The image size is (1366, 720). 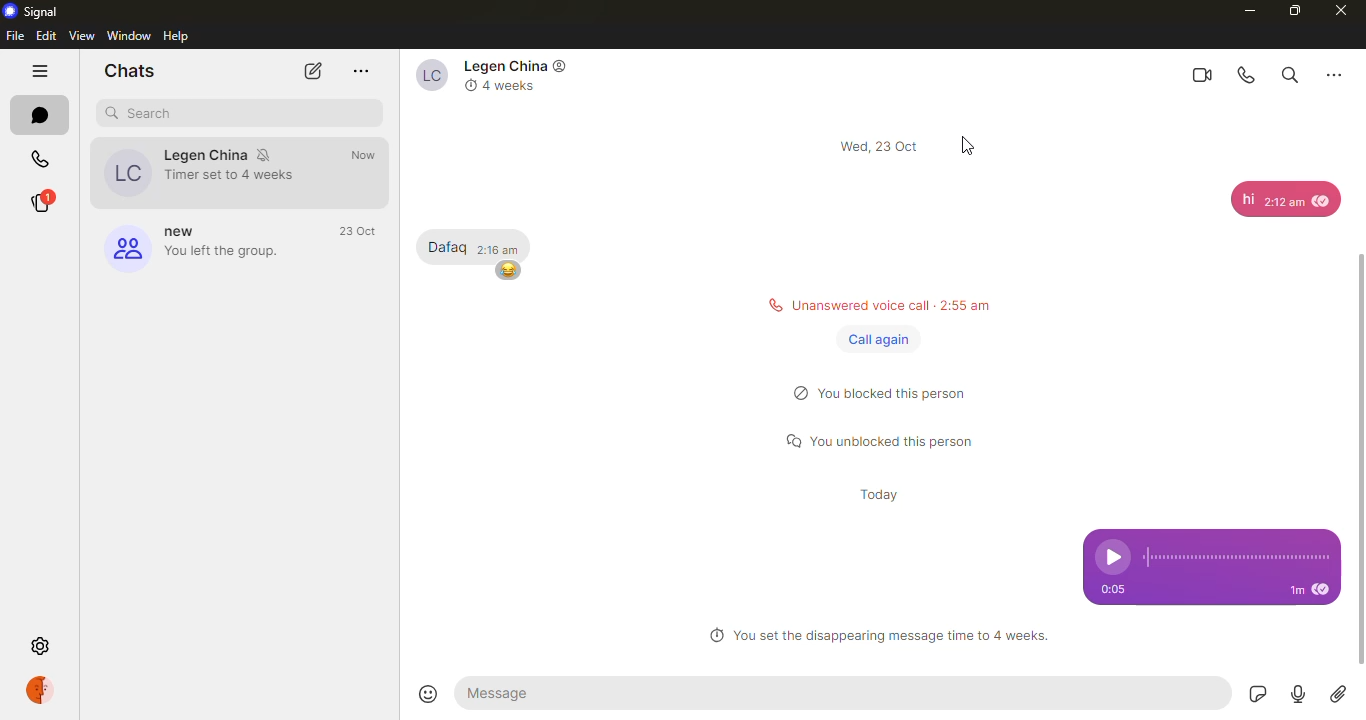 I want to click on time, so click(x=880, y=144).